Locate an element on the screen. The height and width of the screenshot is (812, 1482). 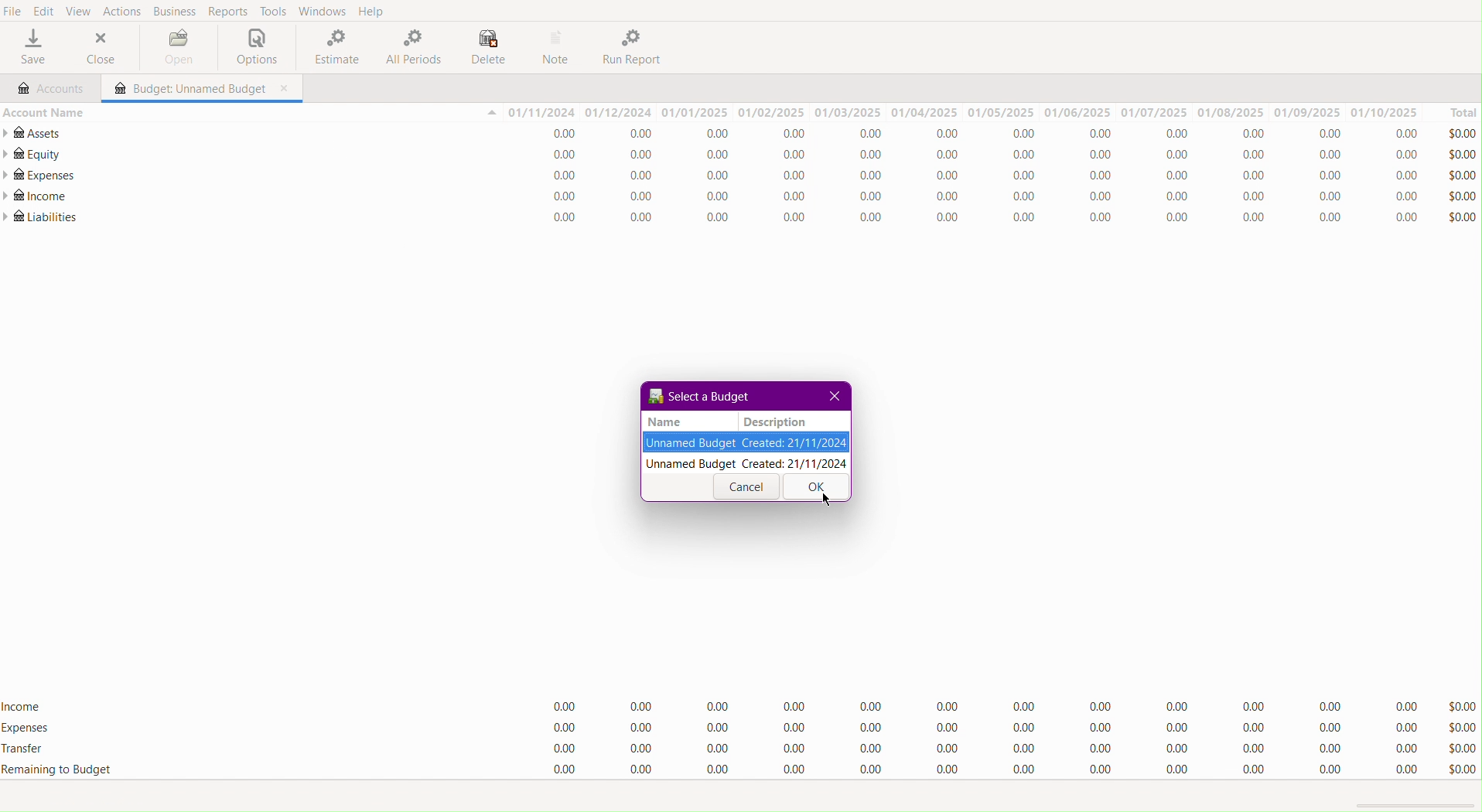
Tools is located at coordinates (271, 12).